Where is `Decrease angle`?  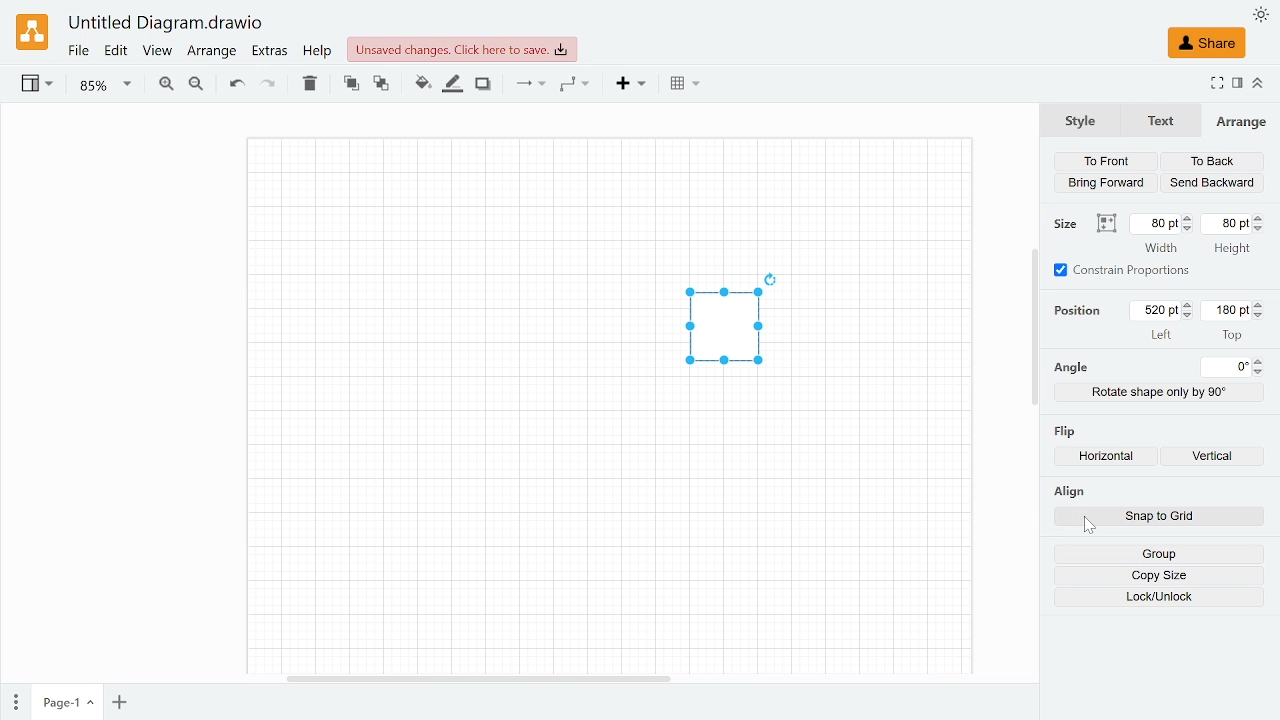
Decrease angle is located at coordinates (1261, 372).